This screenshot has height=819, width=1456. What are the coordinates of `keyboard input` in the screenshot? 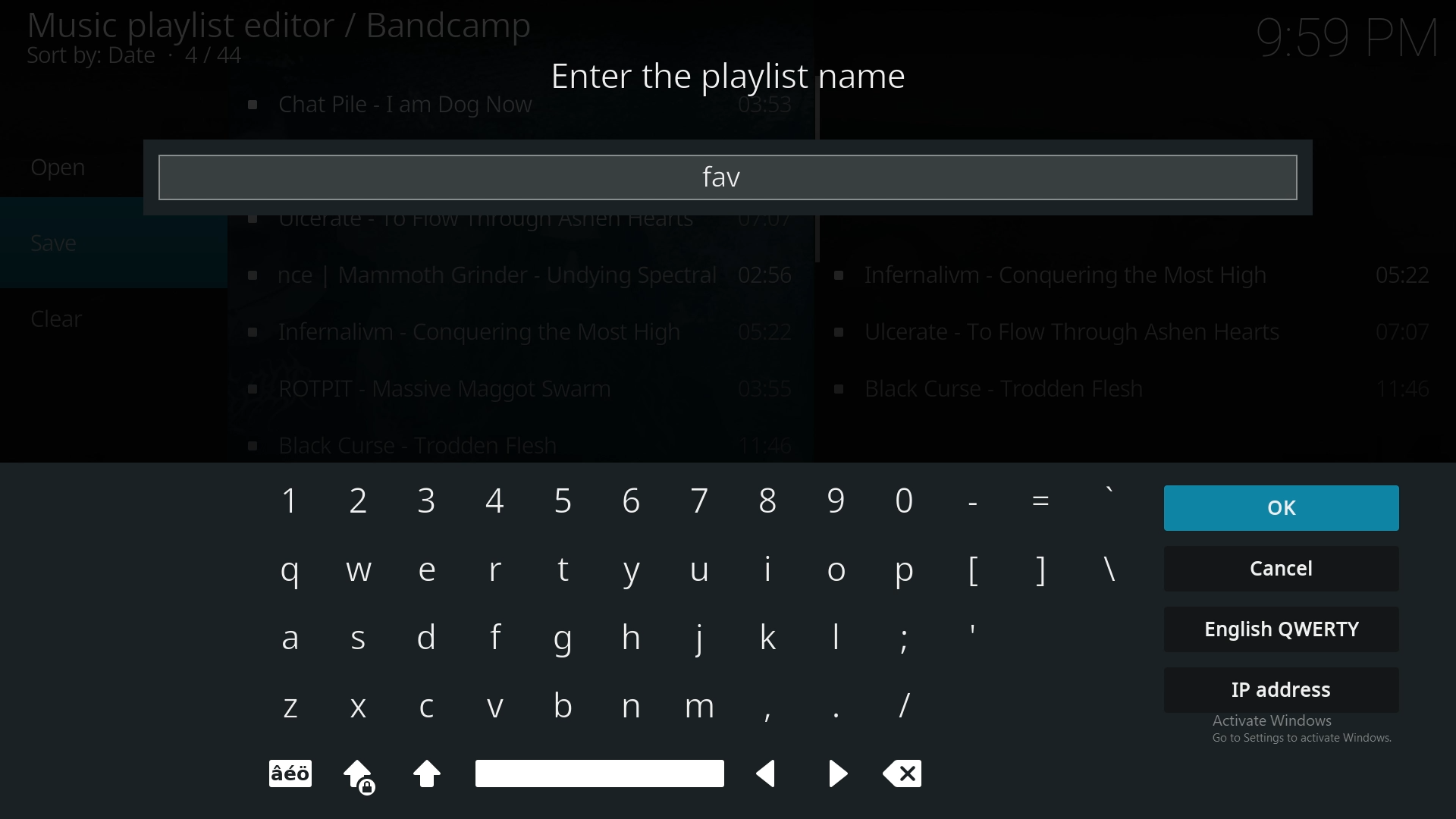 It's located at (828, 708).